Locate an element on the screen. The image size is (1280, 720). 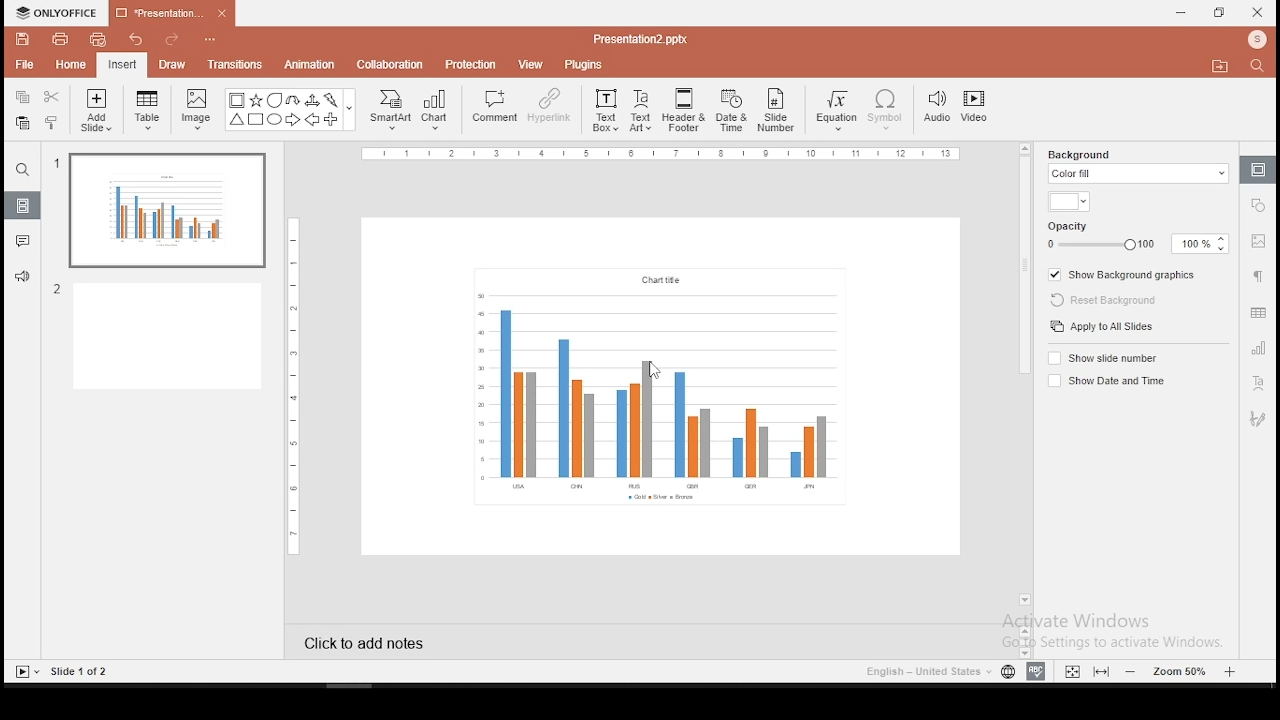
view is located at coordinates (532, 63).